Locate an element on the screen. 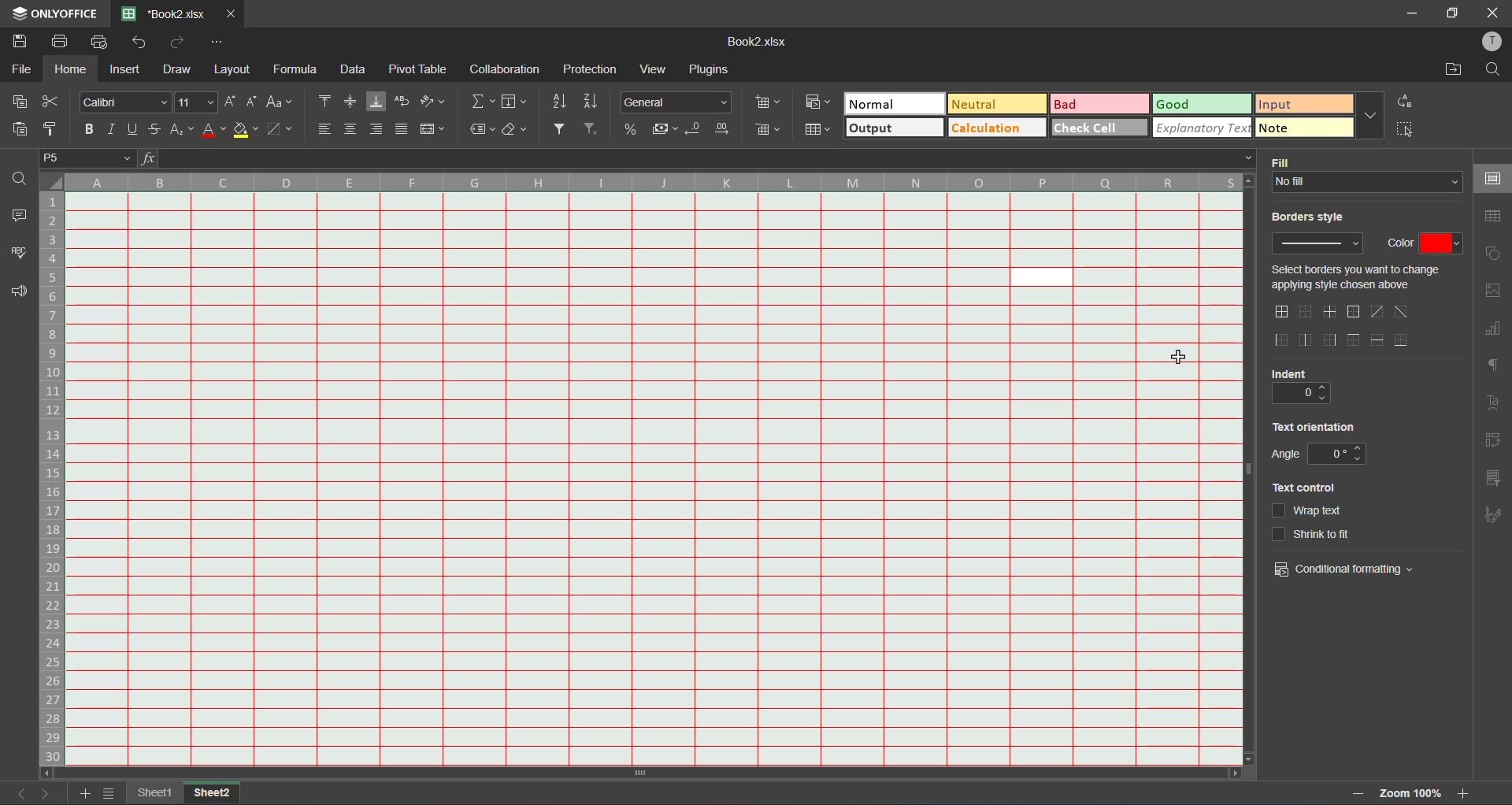 The height and width of the screenshot is (805, 1512). strikethrough is located at coordinates (157, 127).